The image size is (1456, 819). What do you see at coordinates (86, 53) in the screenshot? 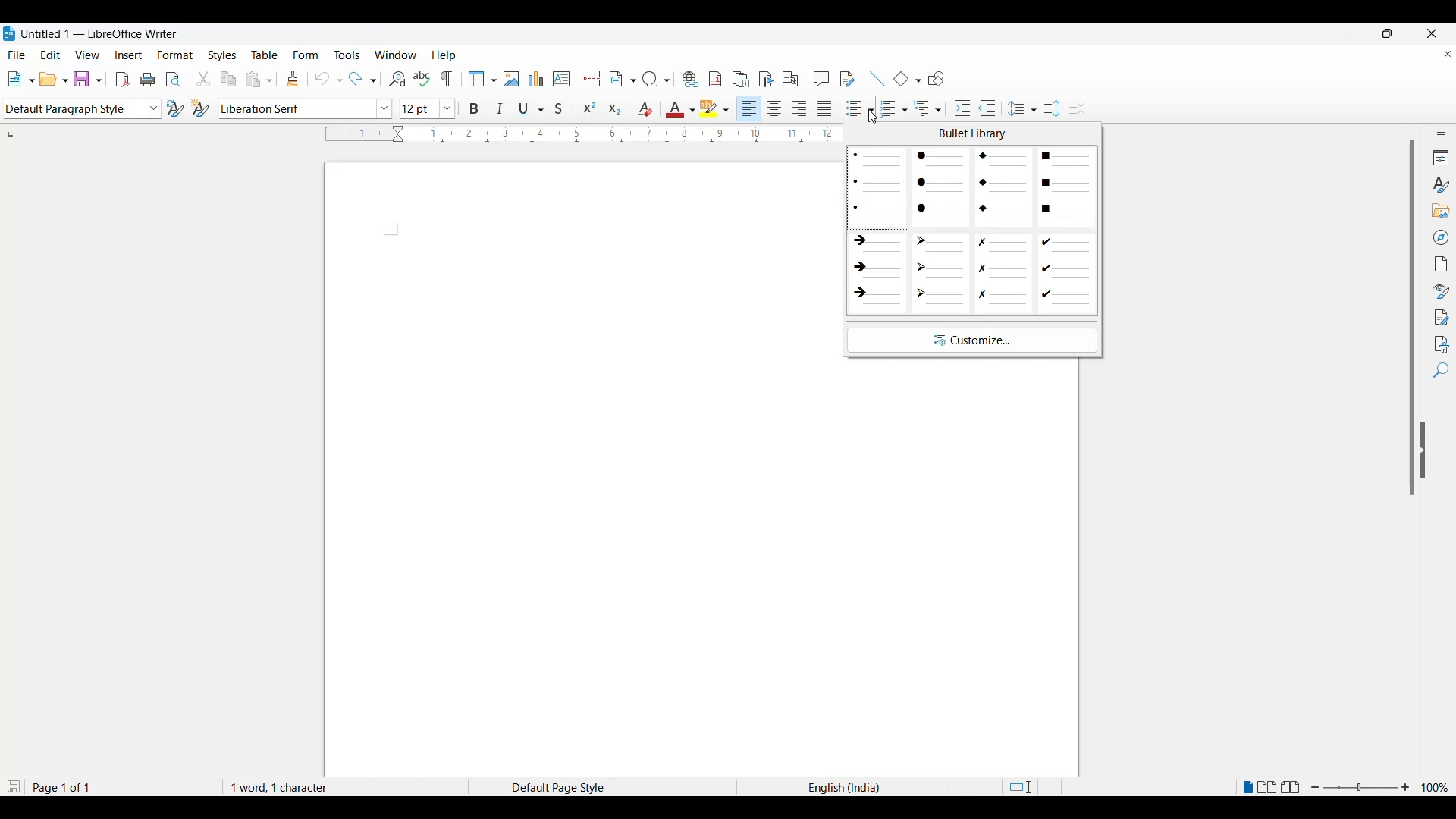
I see `View` at bounding box center [86, 53].